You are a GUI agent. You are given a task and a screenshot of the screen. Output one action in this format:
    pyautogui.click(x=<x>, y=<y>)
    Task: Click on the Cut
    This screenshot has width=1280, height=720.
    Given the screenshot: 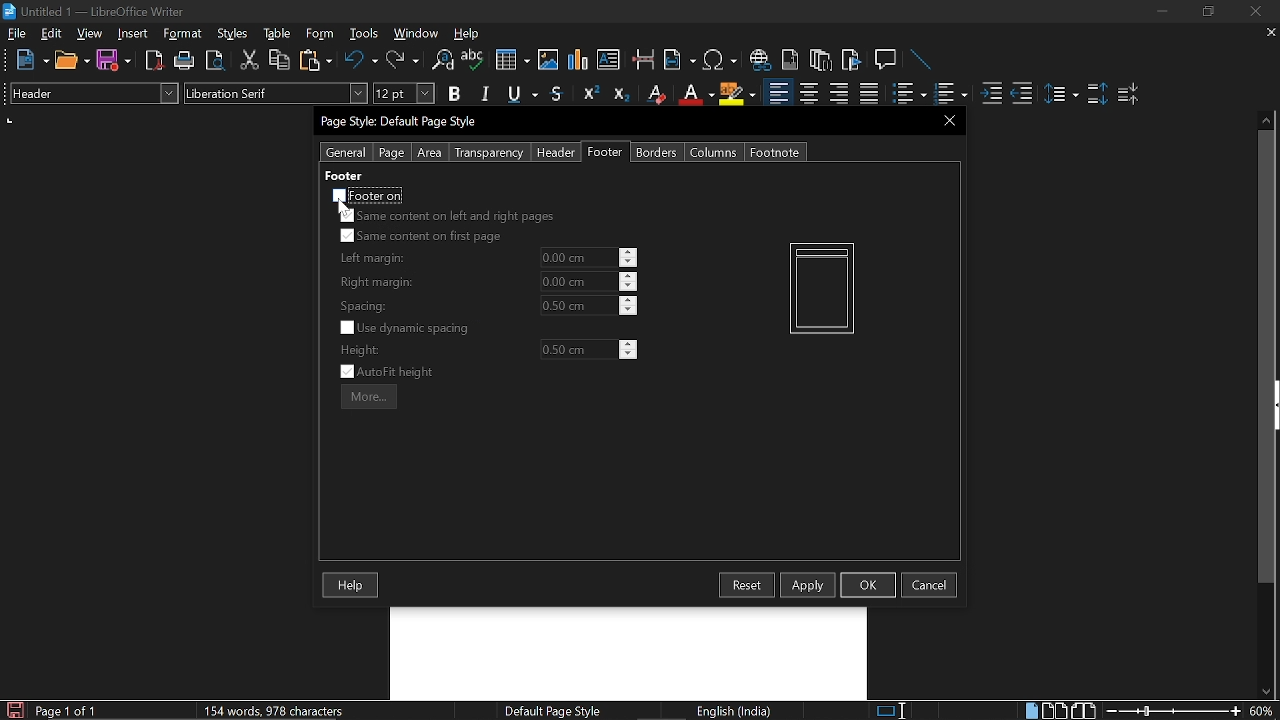 What is the action you would take?
    pyautogui.click(x=250, y=60)
    